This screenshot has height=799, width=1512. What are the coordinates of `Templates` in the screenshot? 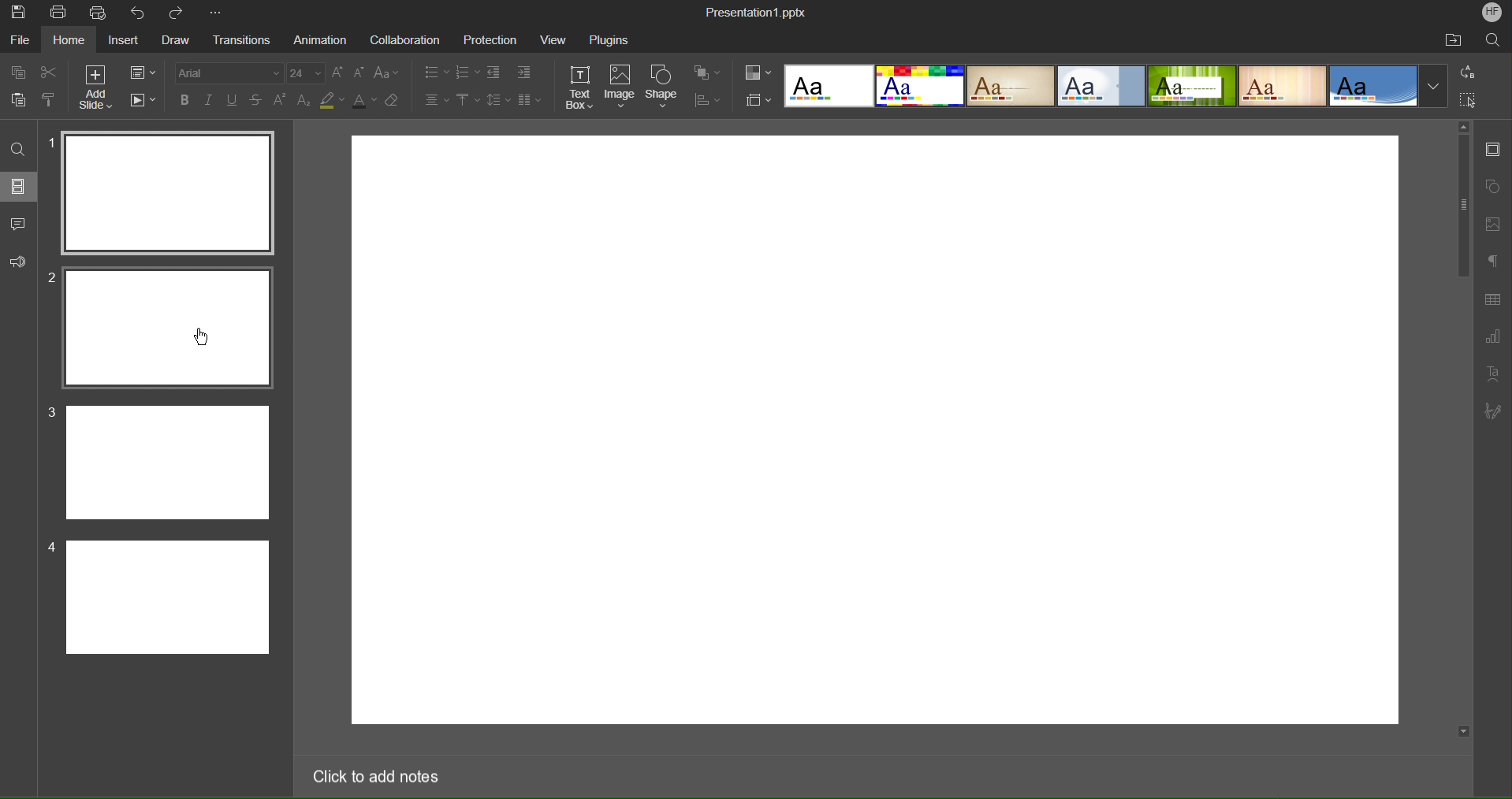 It's located at (1119, 86).